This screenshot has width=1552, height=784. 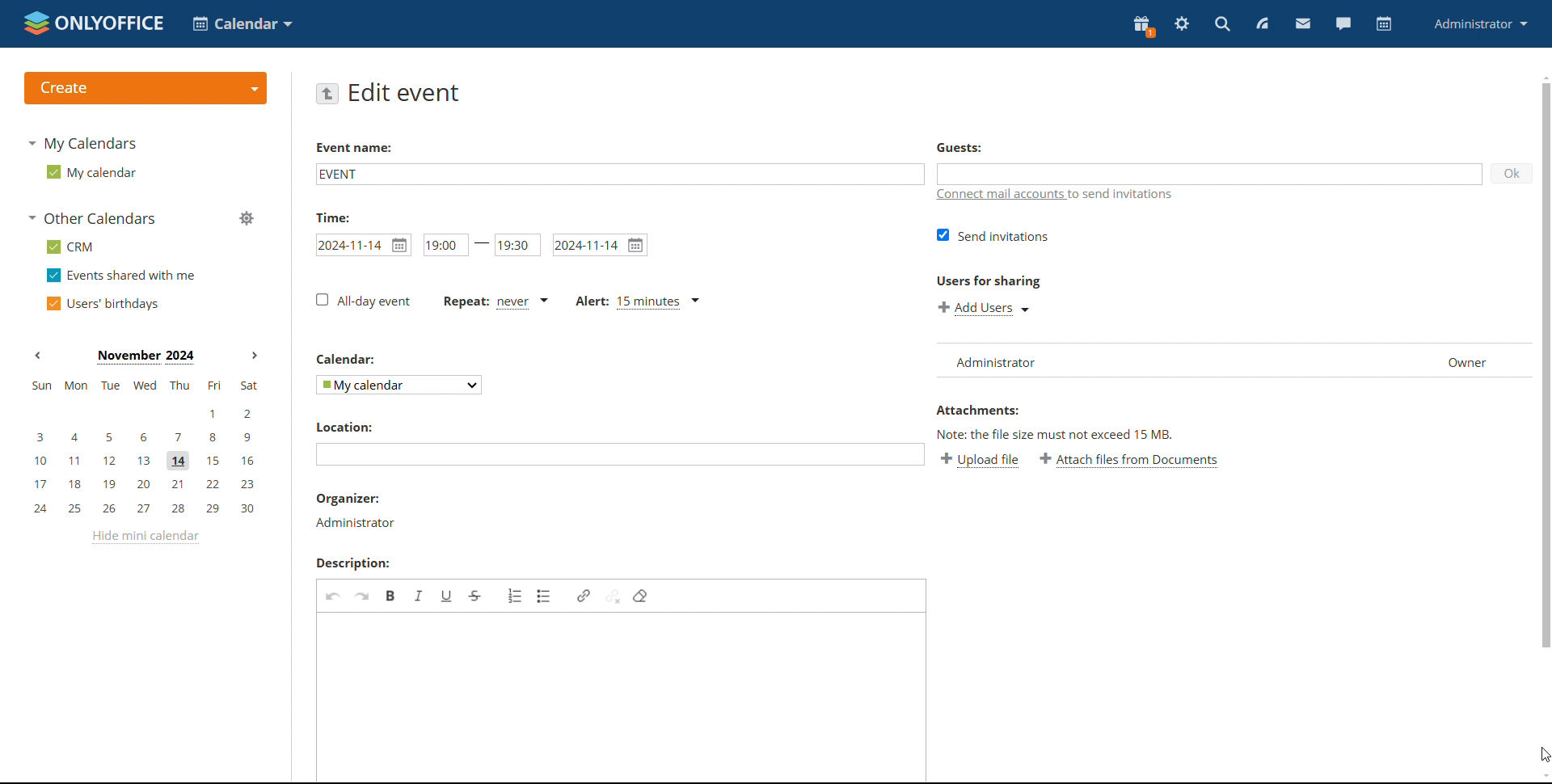 What do you see at coordinates (1542, 776) in the screenshot?
I see `scroll down` at bounding box center [1542, 776].